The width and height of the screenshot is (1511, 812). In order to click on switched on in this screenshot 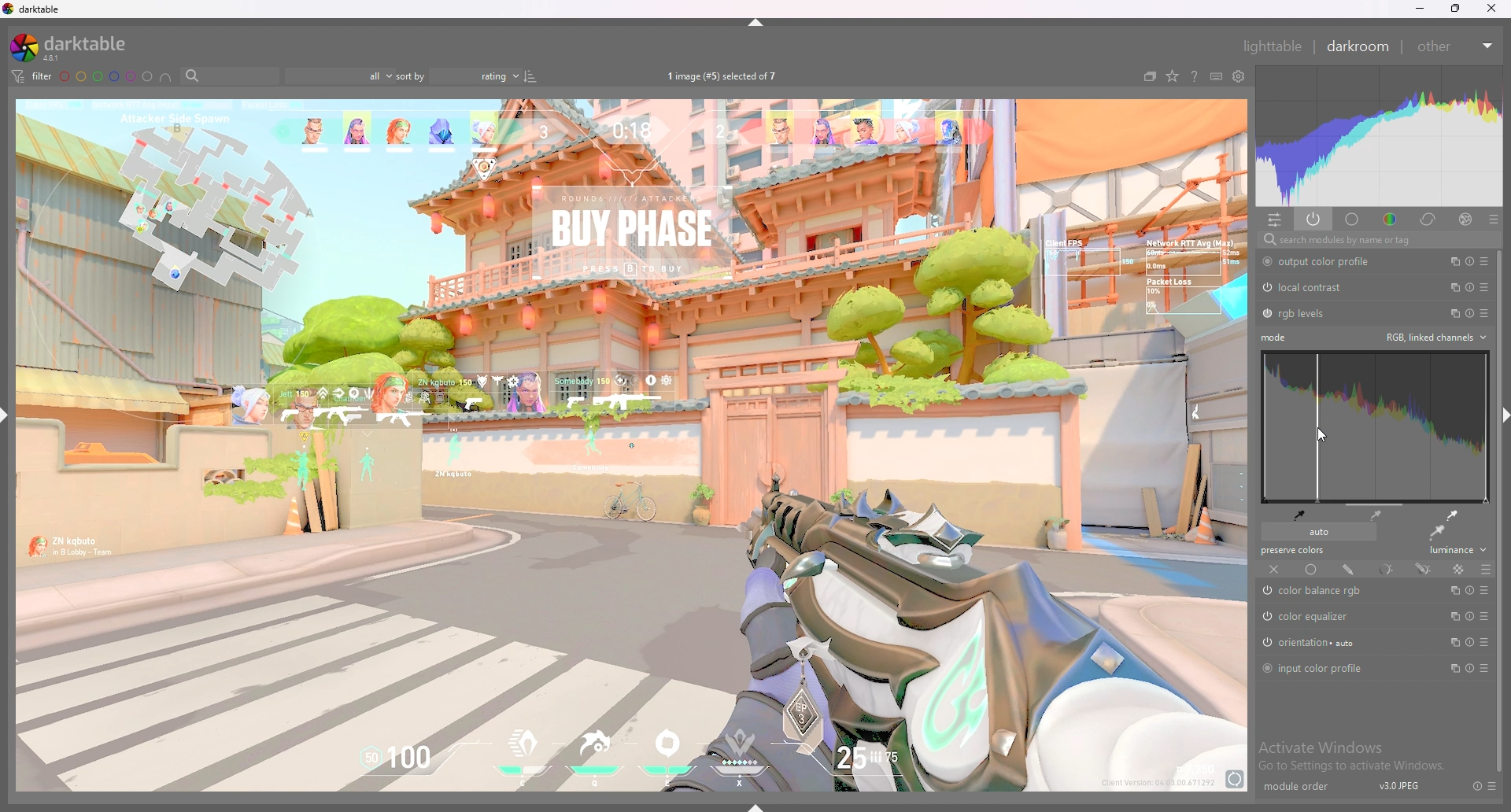, I will do `click(1265, 669)`.